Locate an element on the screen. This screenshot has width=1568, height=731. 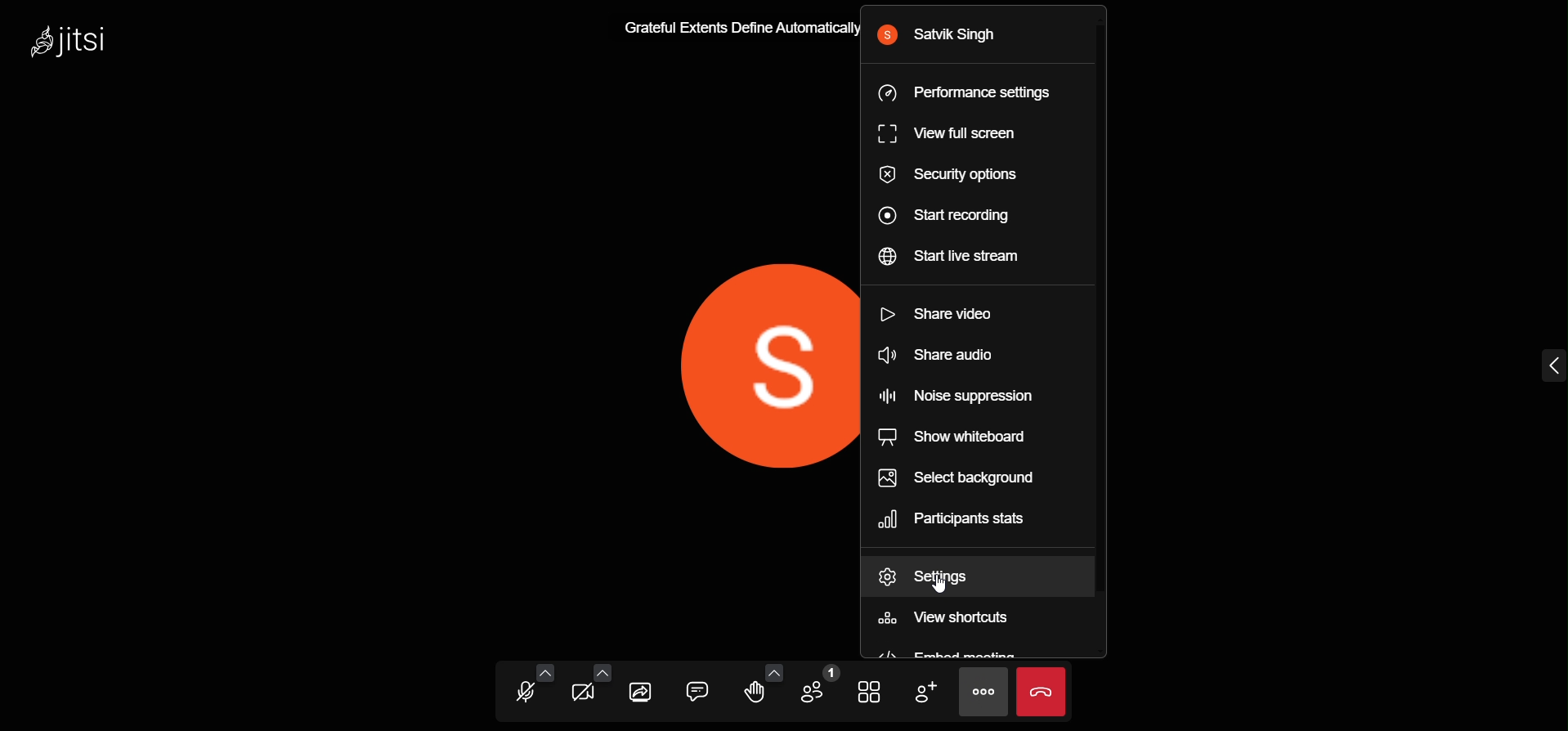
share video is located at coordinates (946, 317).